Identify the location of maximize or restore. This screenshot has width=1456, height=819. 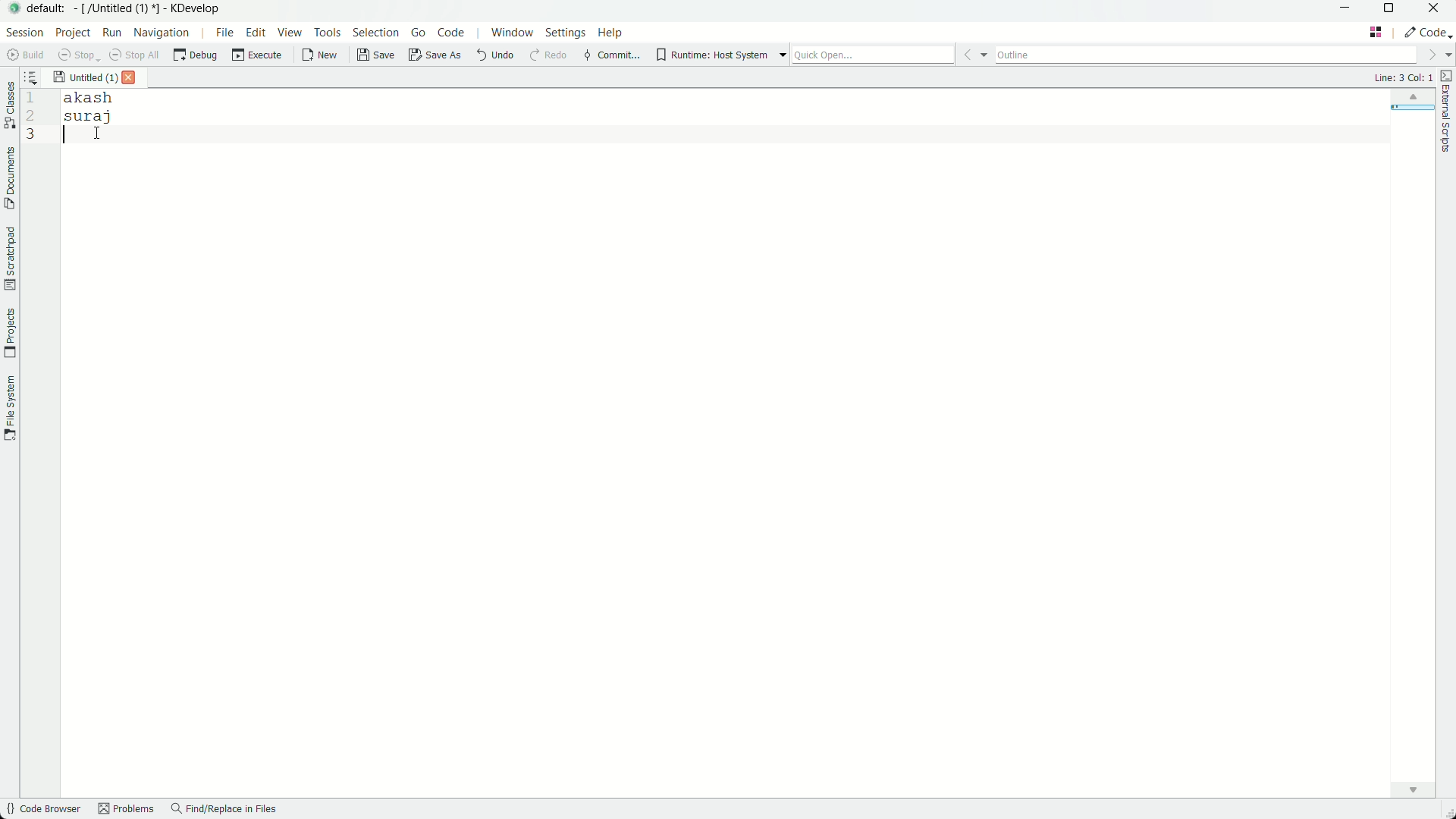
(1391, 11).